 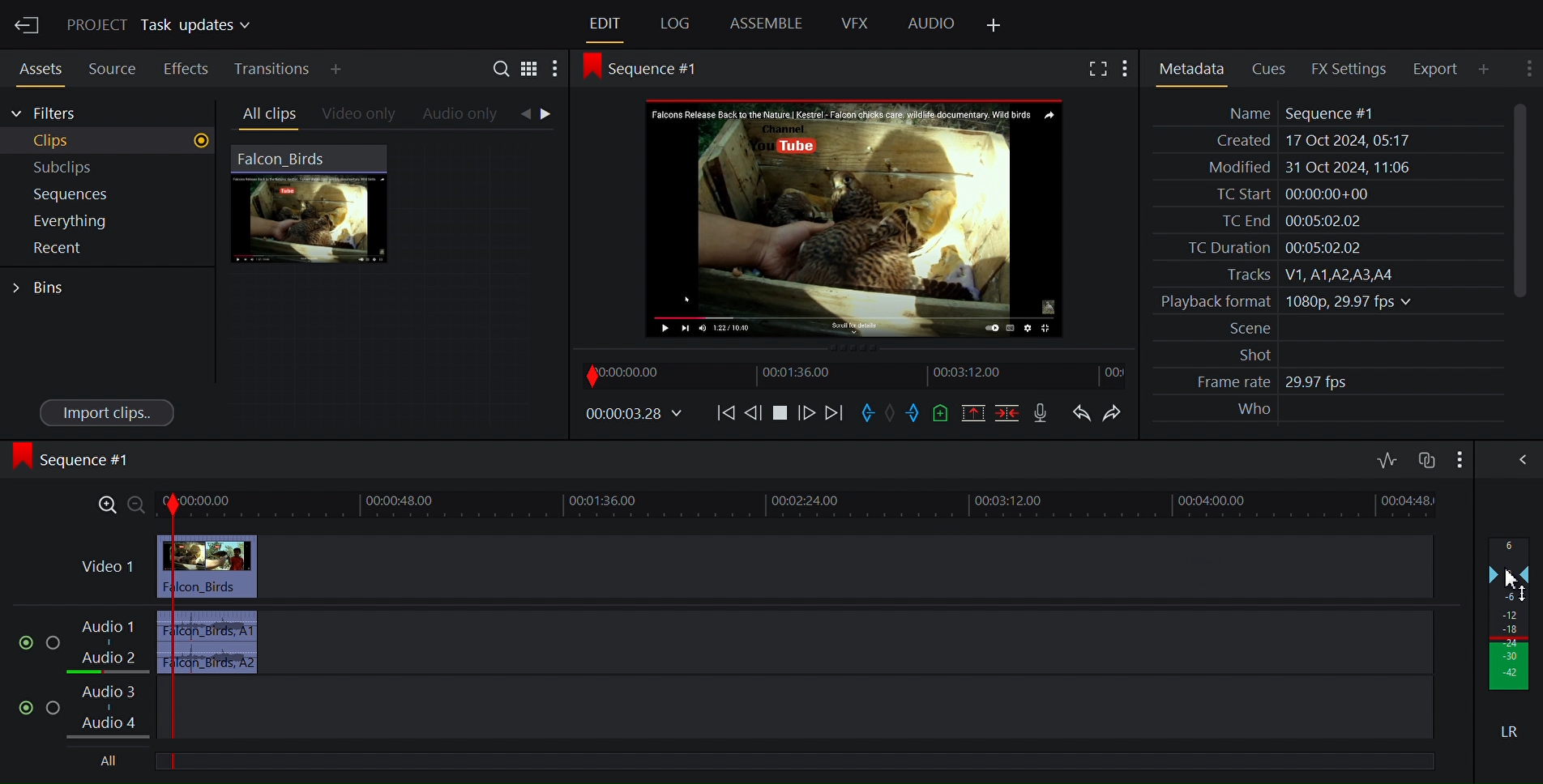 I want to click on Edit, so click(x=602, y=23).